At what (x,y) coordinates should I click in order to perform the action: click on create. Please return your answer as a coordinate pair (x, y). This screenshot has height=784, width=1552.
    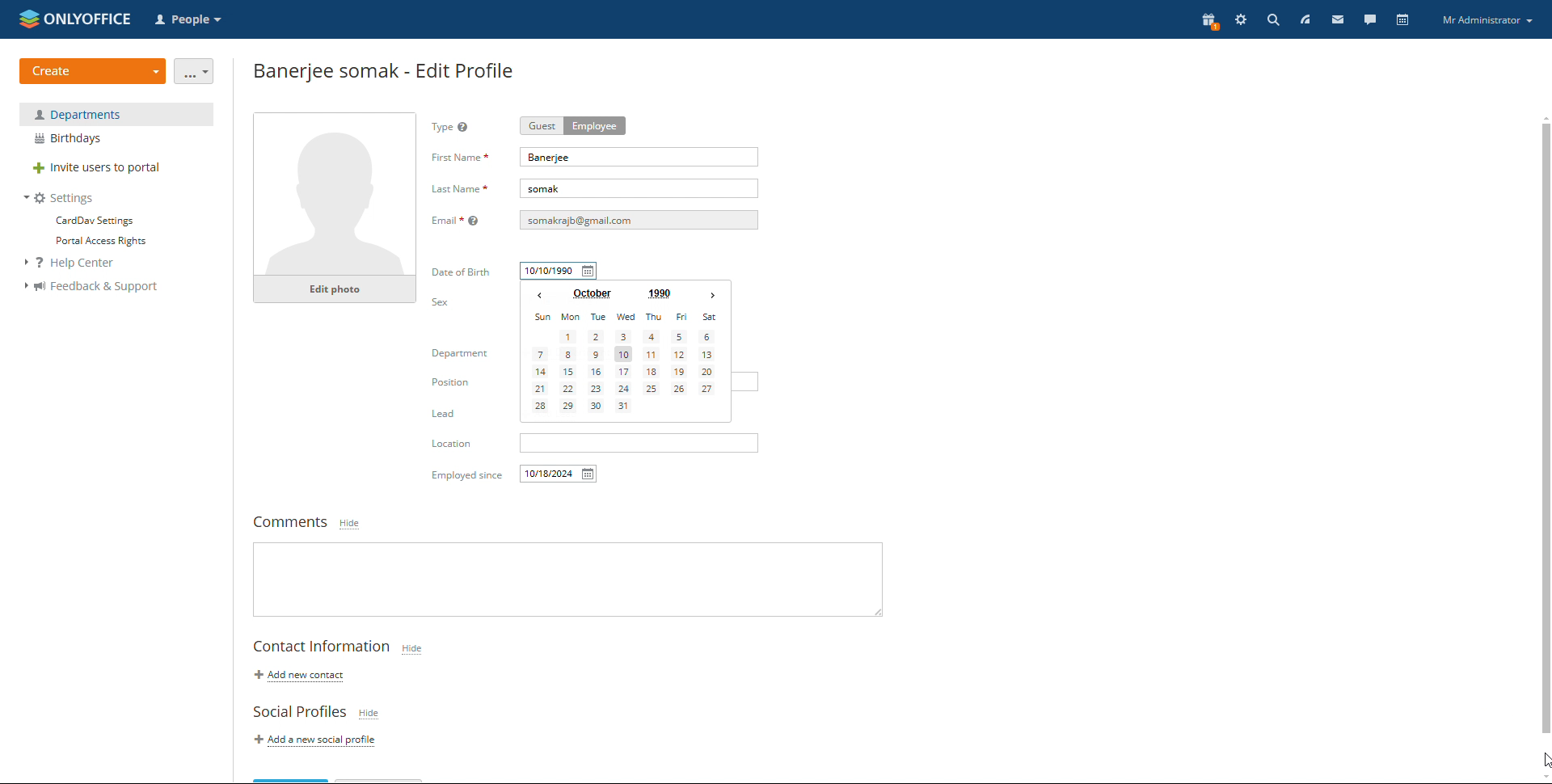
    Looking at the image, I should click on (93, 71).